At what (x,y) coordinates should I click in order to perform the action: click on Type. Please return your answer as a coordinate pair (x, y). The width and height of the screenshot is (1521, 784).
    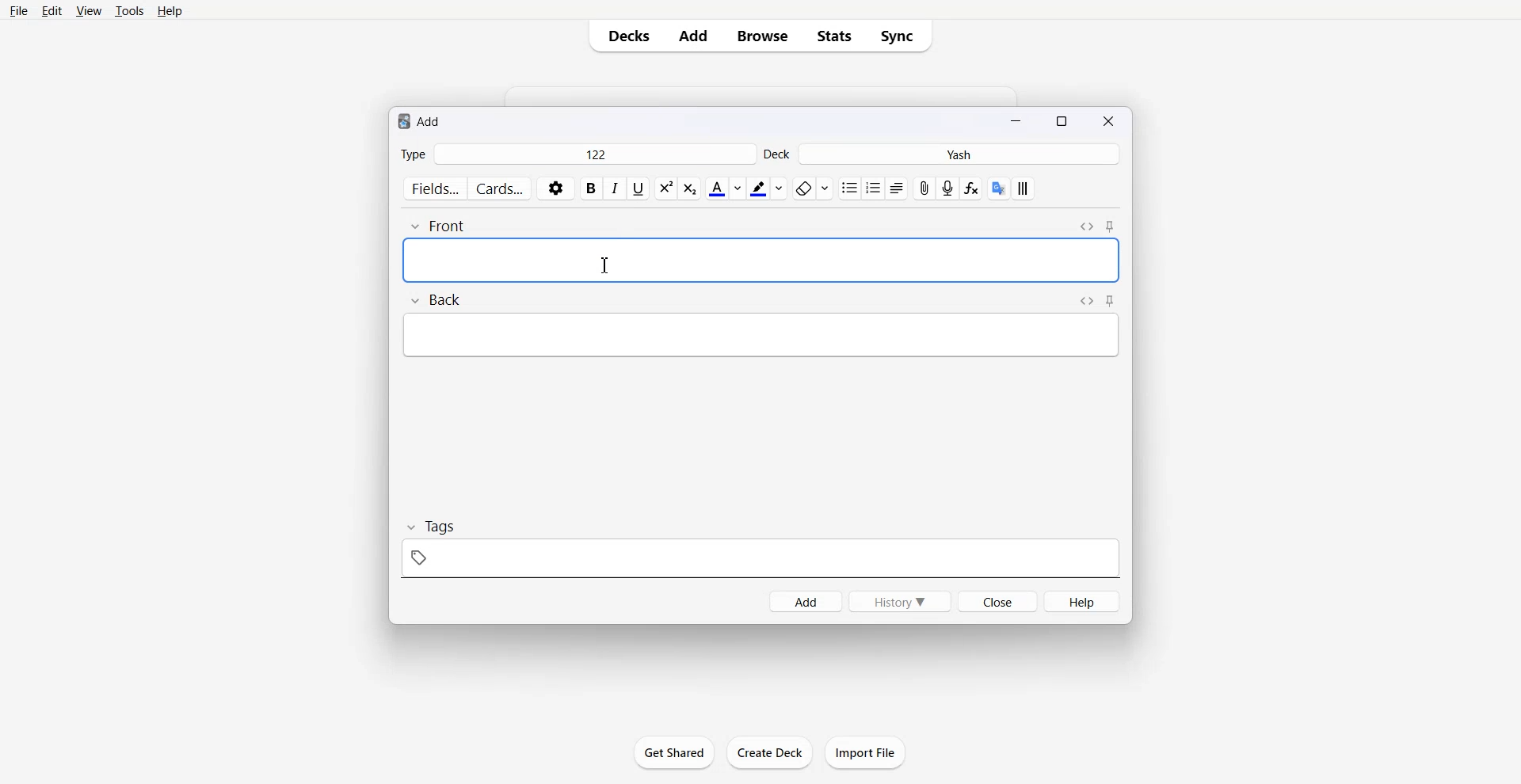
    Looking at the image, I should click on (413, 154).